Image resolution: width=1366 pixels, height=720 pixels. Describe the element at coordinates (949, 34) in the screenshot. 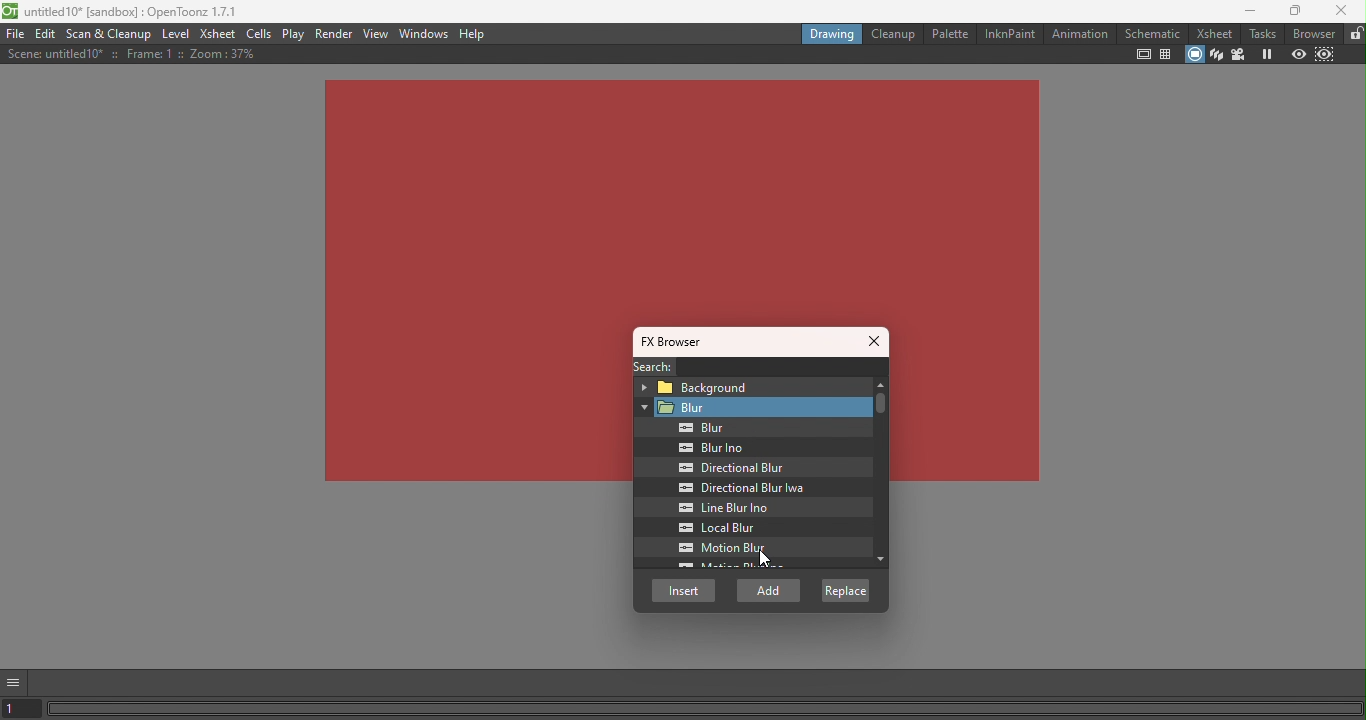

I see `Palette` at that location.